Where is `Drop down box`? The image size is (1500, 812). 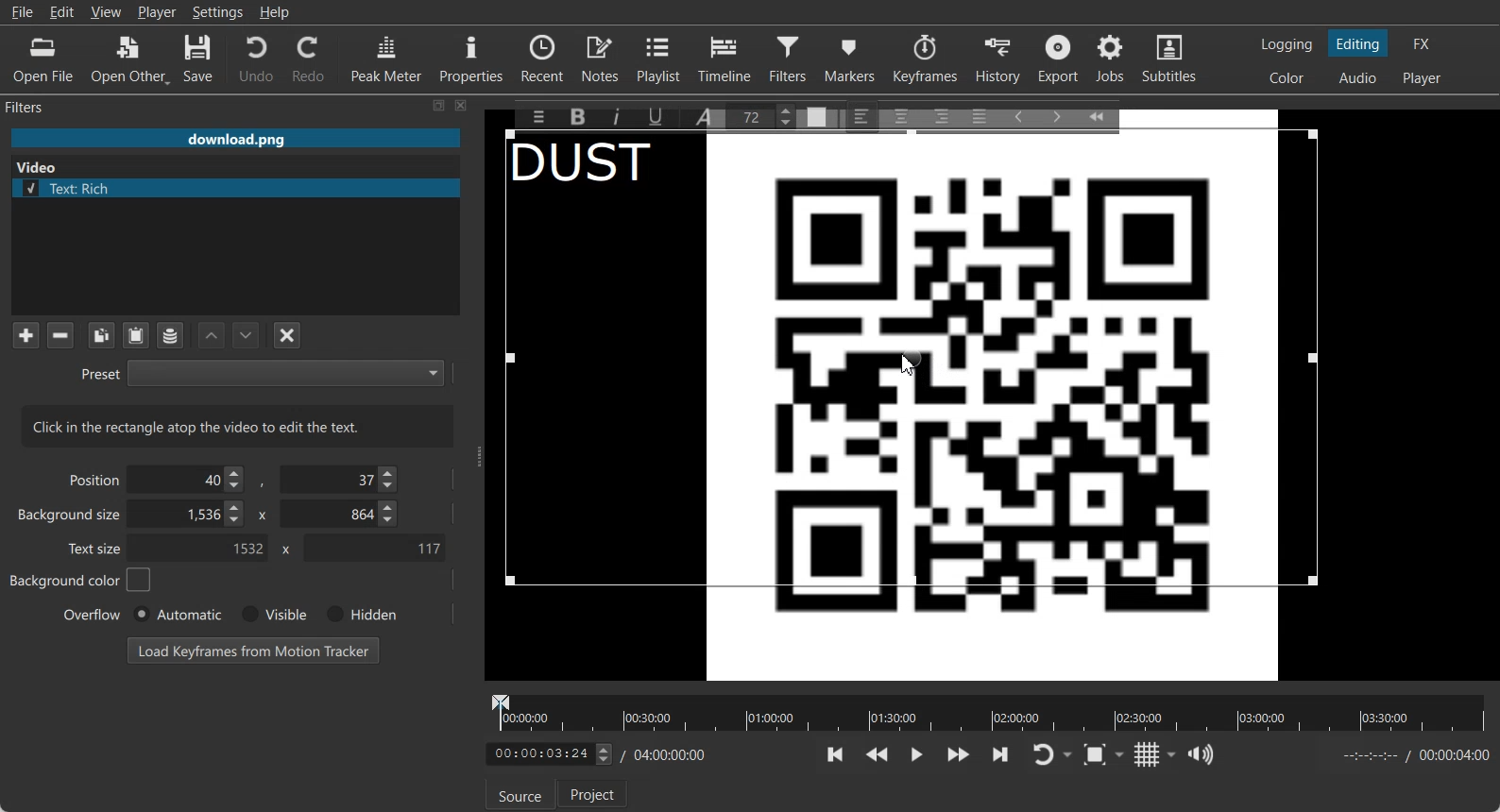
Drop down box is located at coordinates (1069, 755).